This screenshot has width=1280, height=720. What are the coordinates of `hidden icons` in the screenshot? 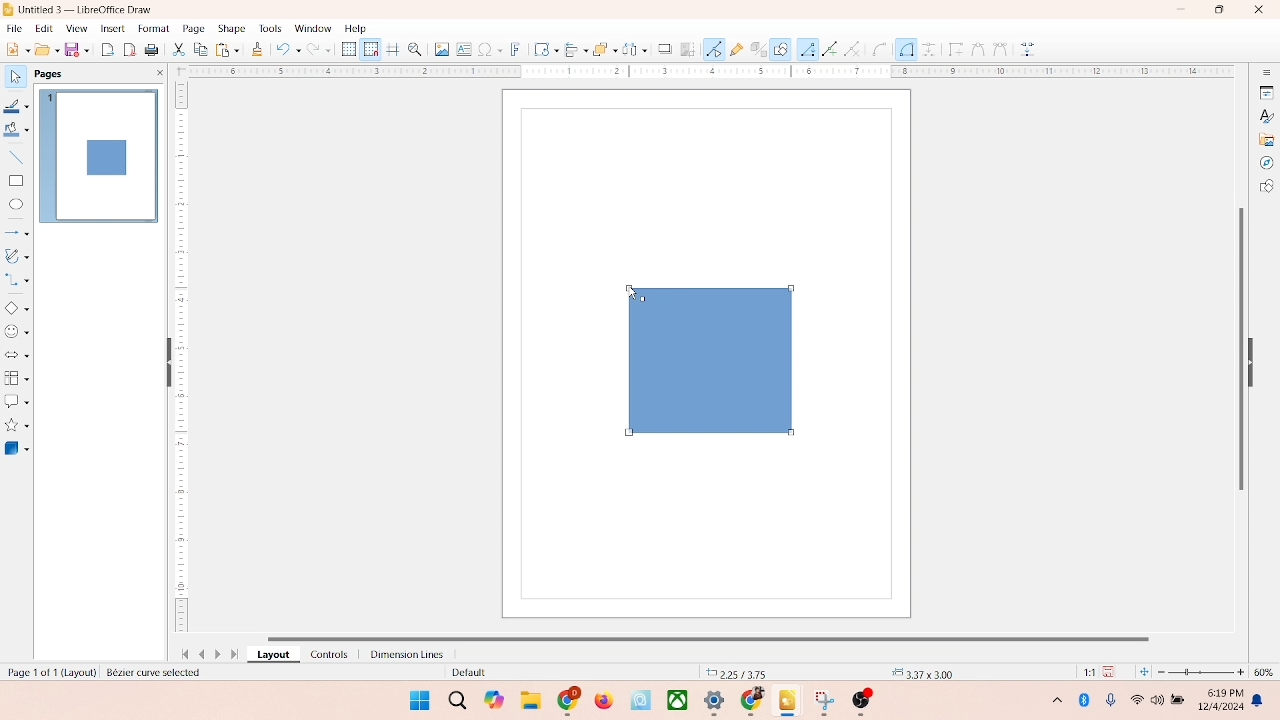 It's located at (1047, 703).